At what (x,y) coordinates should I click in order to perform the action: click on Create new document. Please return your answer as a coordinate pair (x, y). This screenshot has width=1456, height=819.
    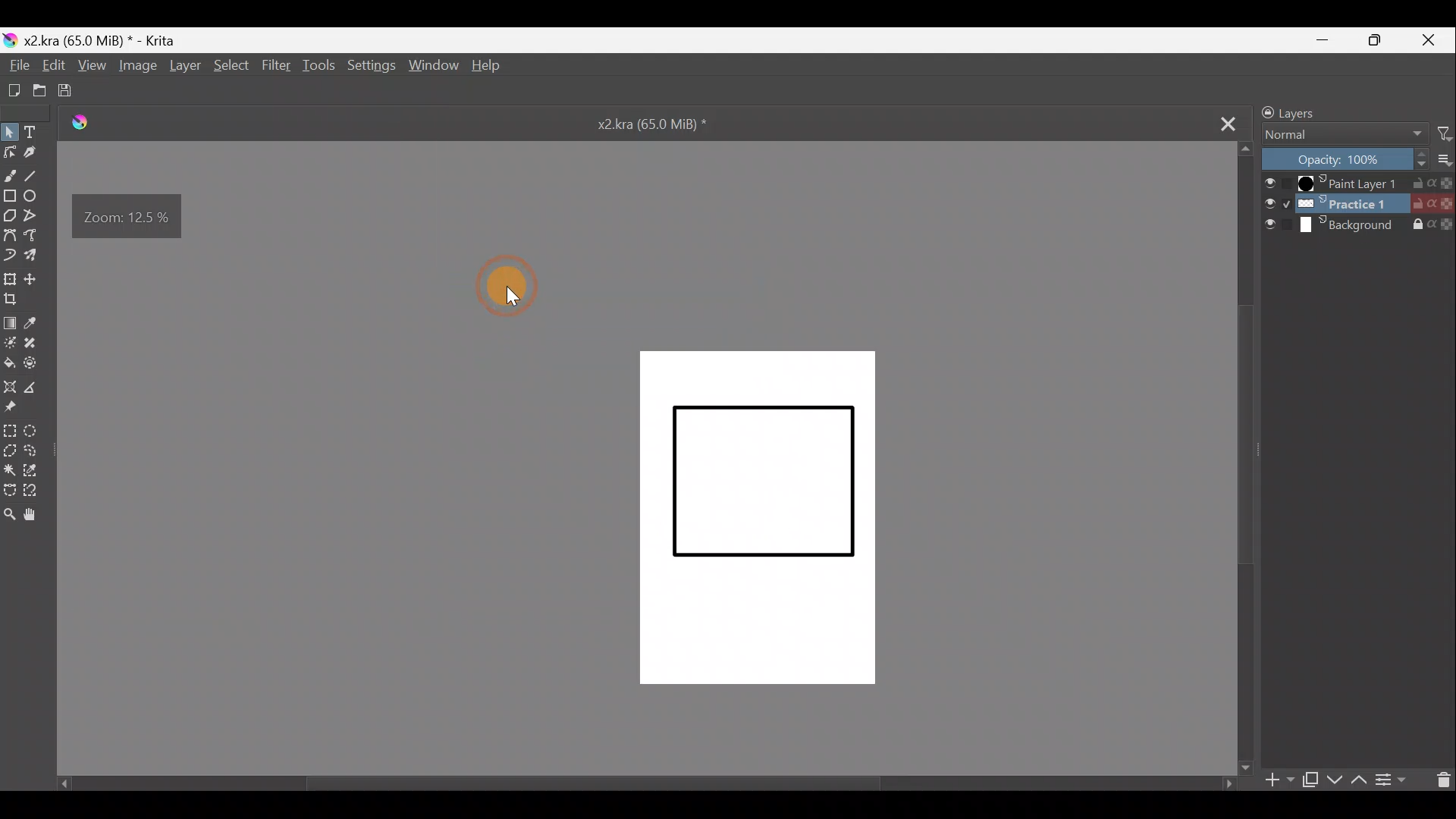
    Looking at the image, I should click on (14, 90).